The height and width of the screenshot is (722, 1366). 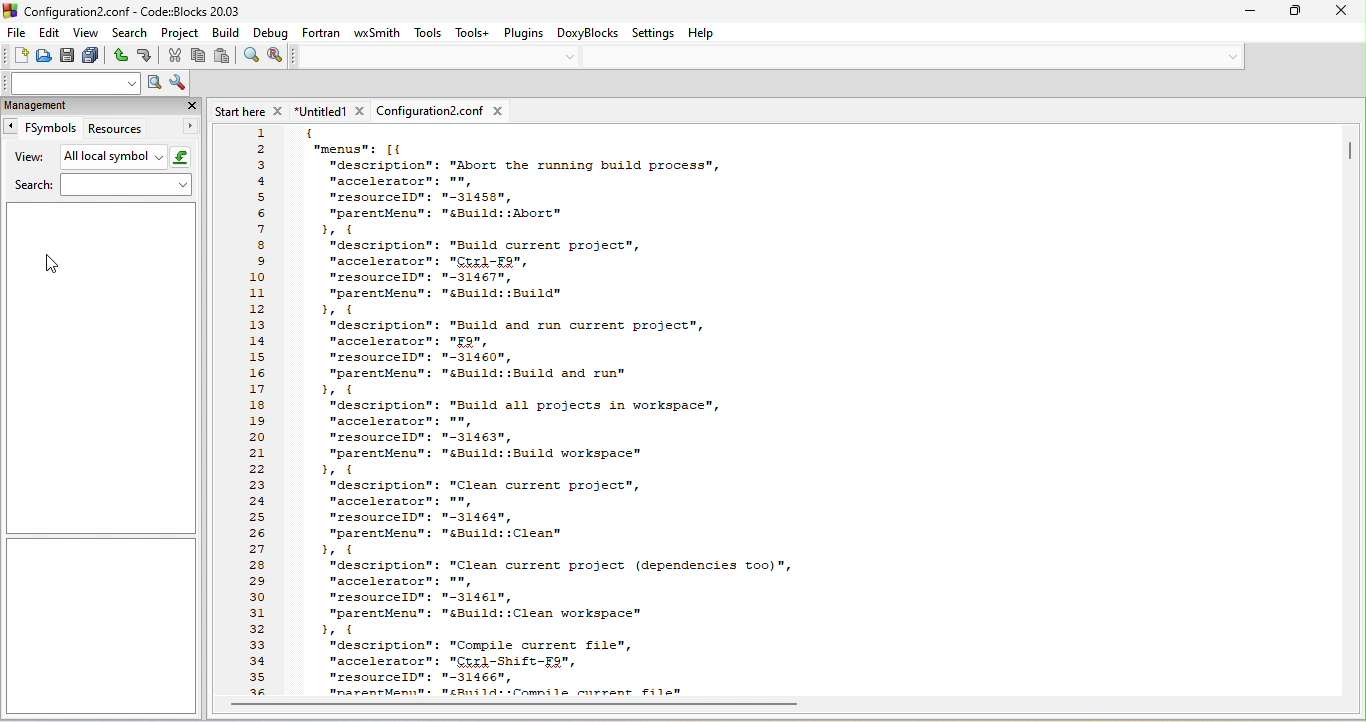 I want to click on help, so click(x=702, y=32).